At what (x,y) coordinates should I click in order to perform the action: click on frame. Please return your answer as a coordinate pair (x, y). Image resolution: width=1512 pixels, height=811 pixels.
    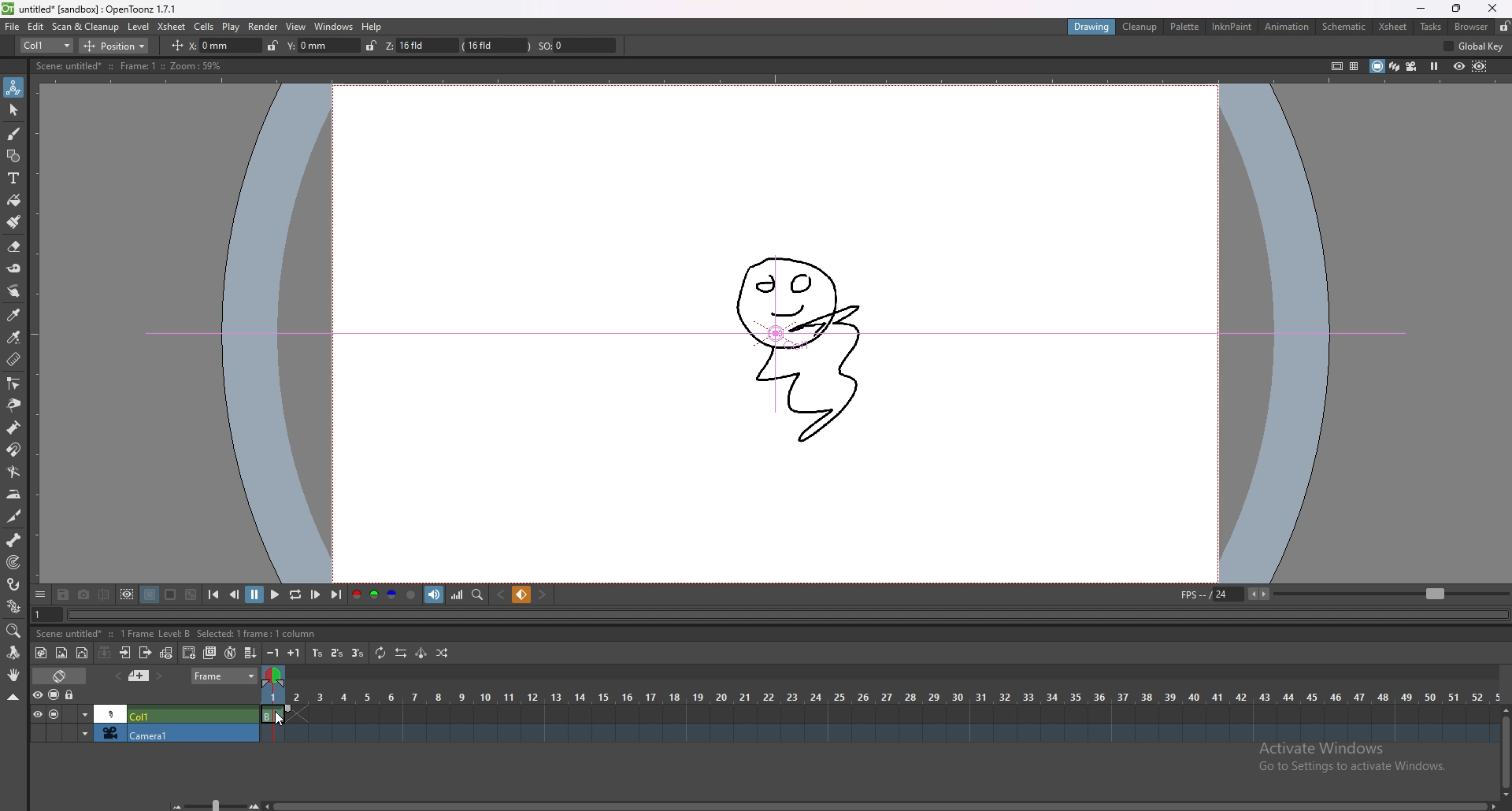
    Looking at the image, I should click on (224, 676).